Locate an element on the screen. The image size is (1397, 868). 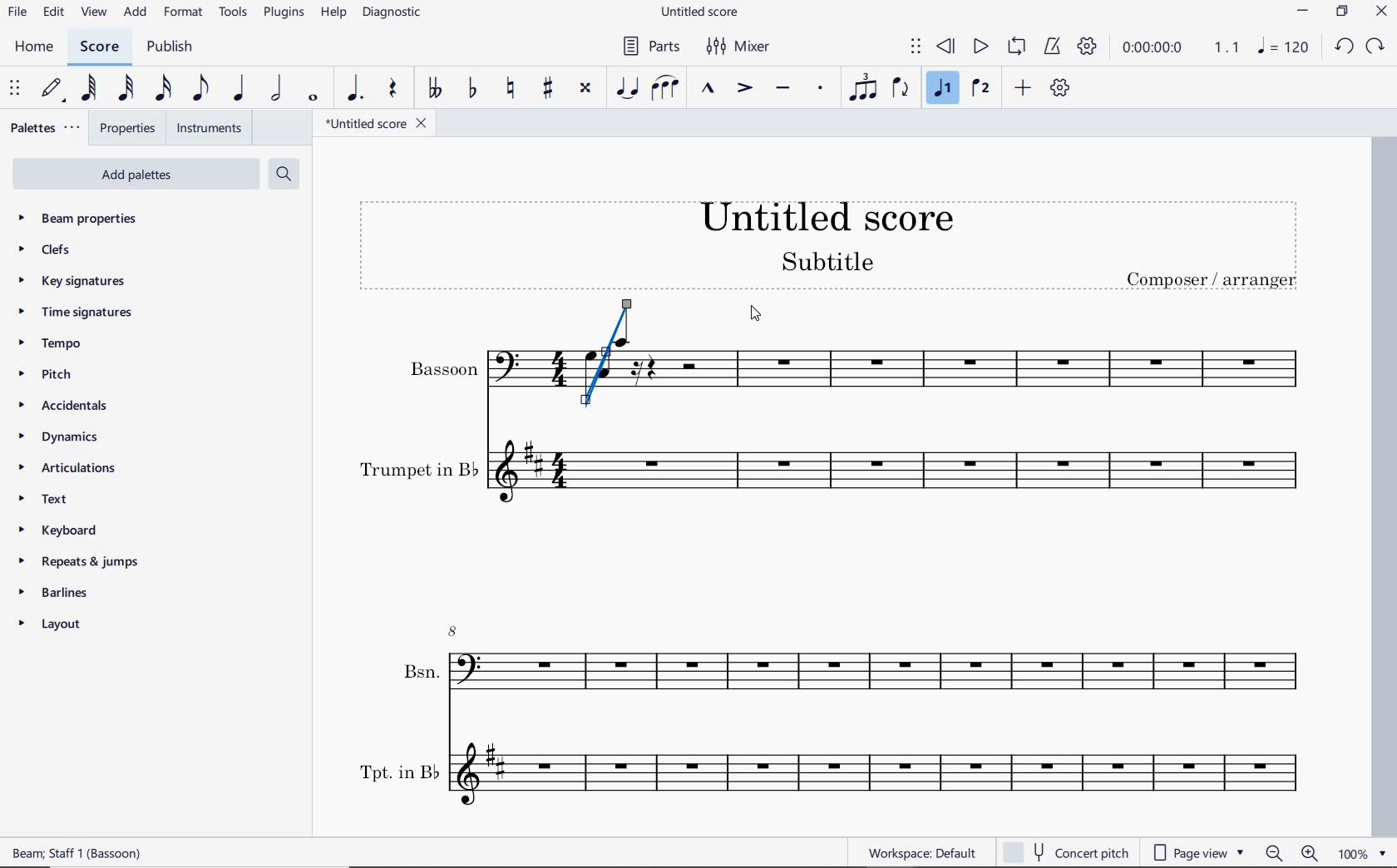
concert pitch is located at coordinates (1068, 851).